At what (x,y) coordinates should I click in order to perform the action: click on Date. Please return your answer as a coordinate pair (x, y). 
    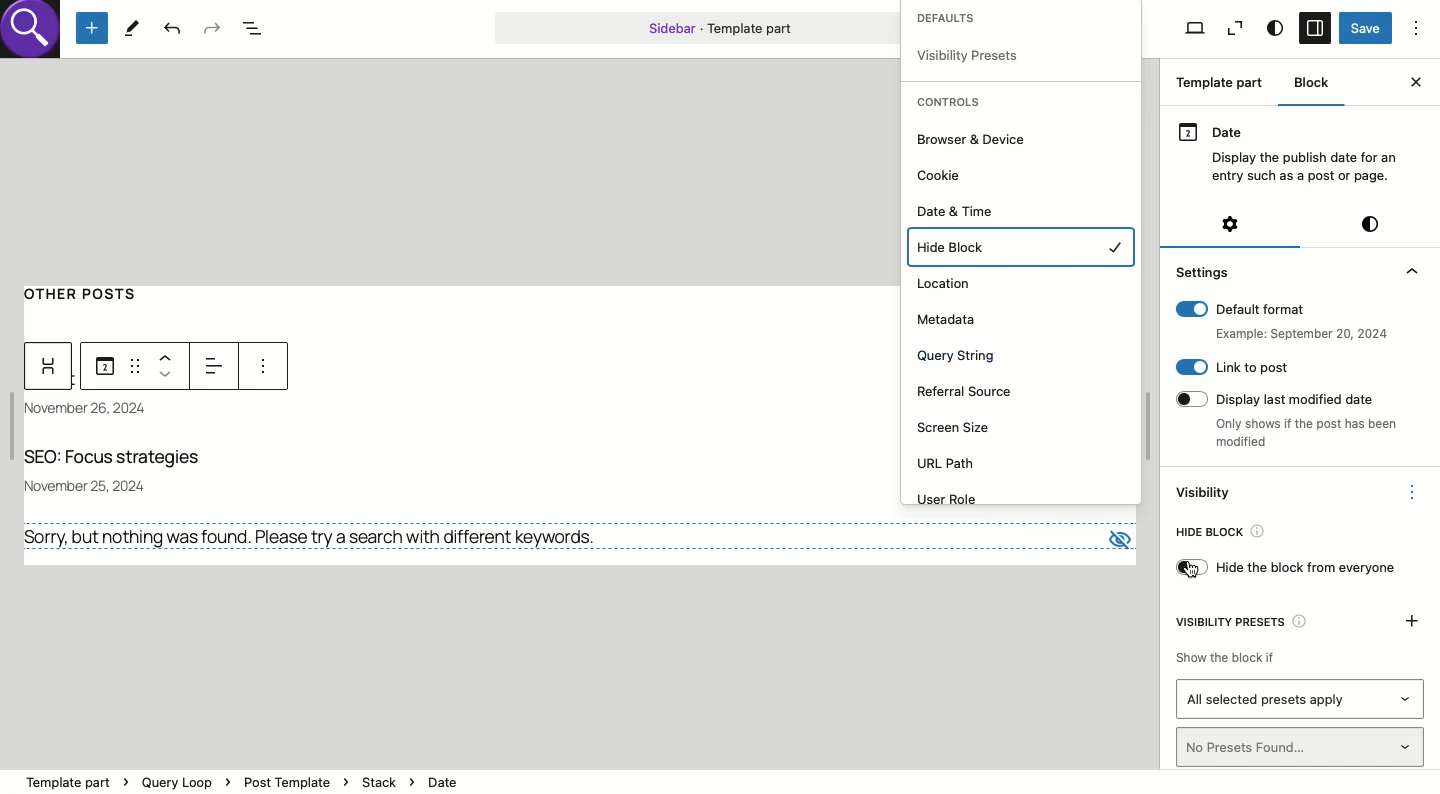
    Looking at the image, I should click on (98, 410).